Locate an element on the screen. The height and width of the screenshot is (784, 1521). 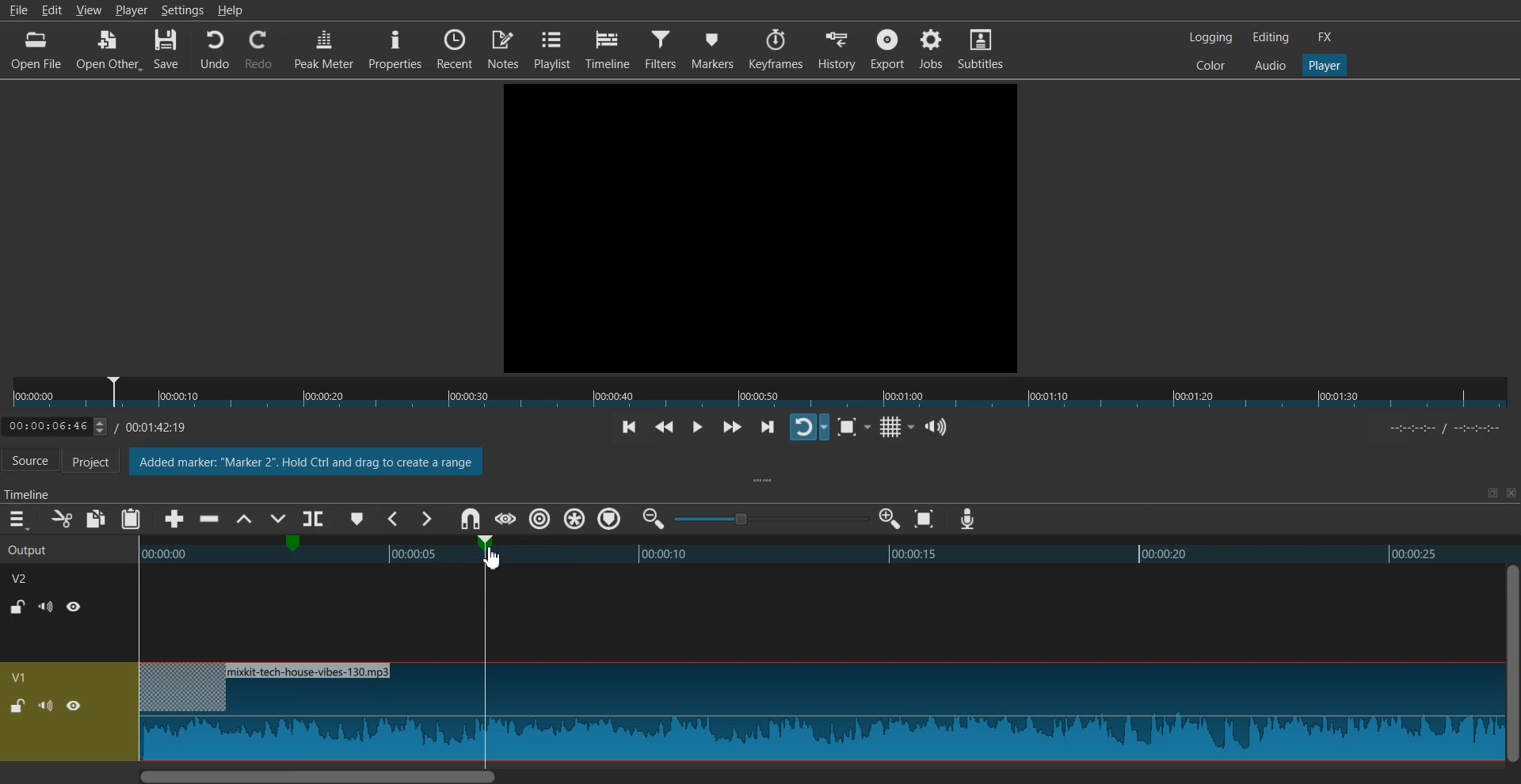
Mute is located at coordinates (46, 705).